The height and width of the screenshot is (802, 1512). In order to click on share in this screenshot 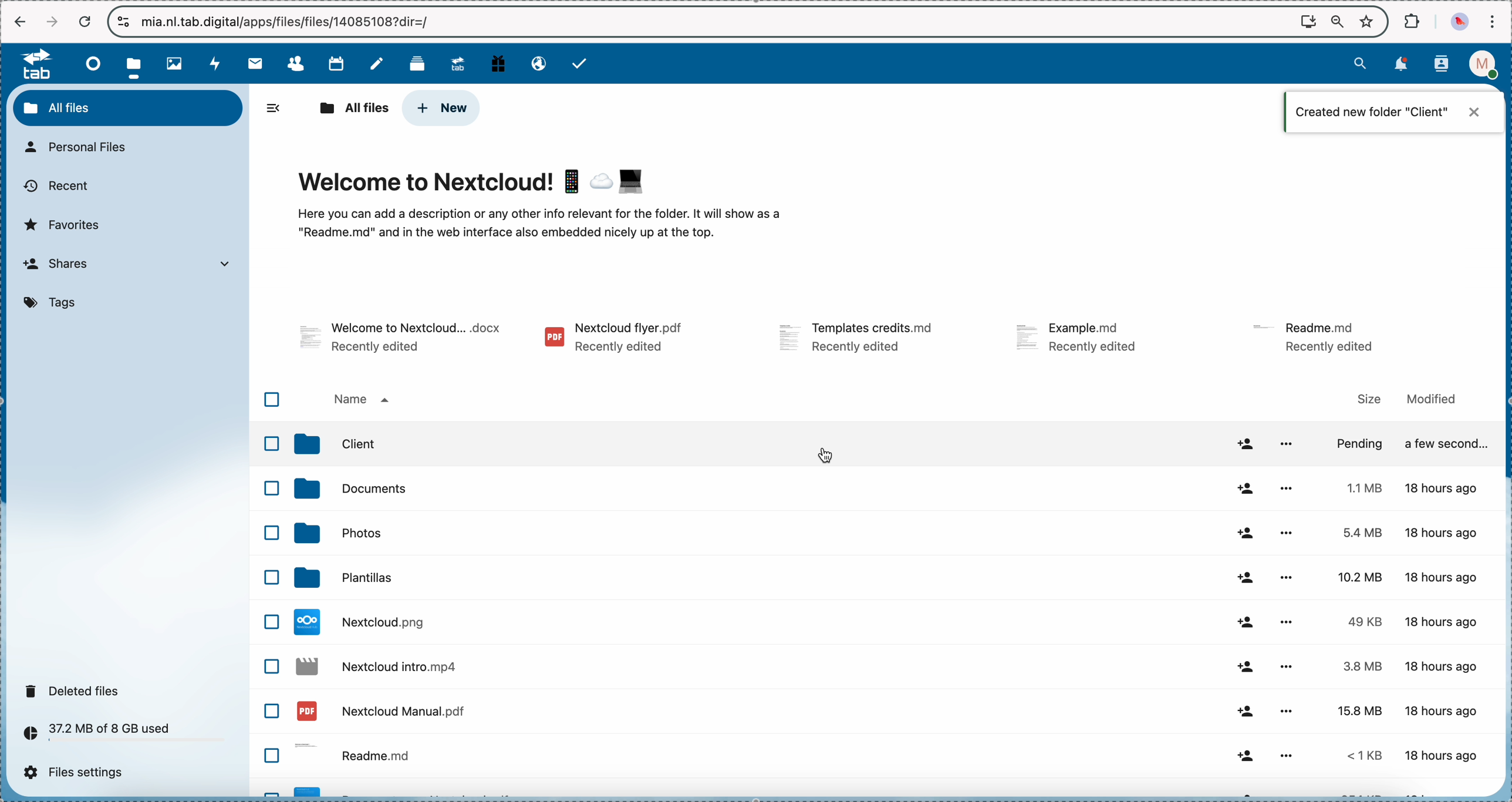, I will do `click(1245, 443)`.